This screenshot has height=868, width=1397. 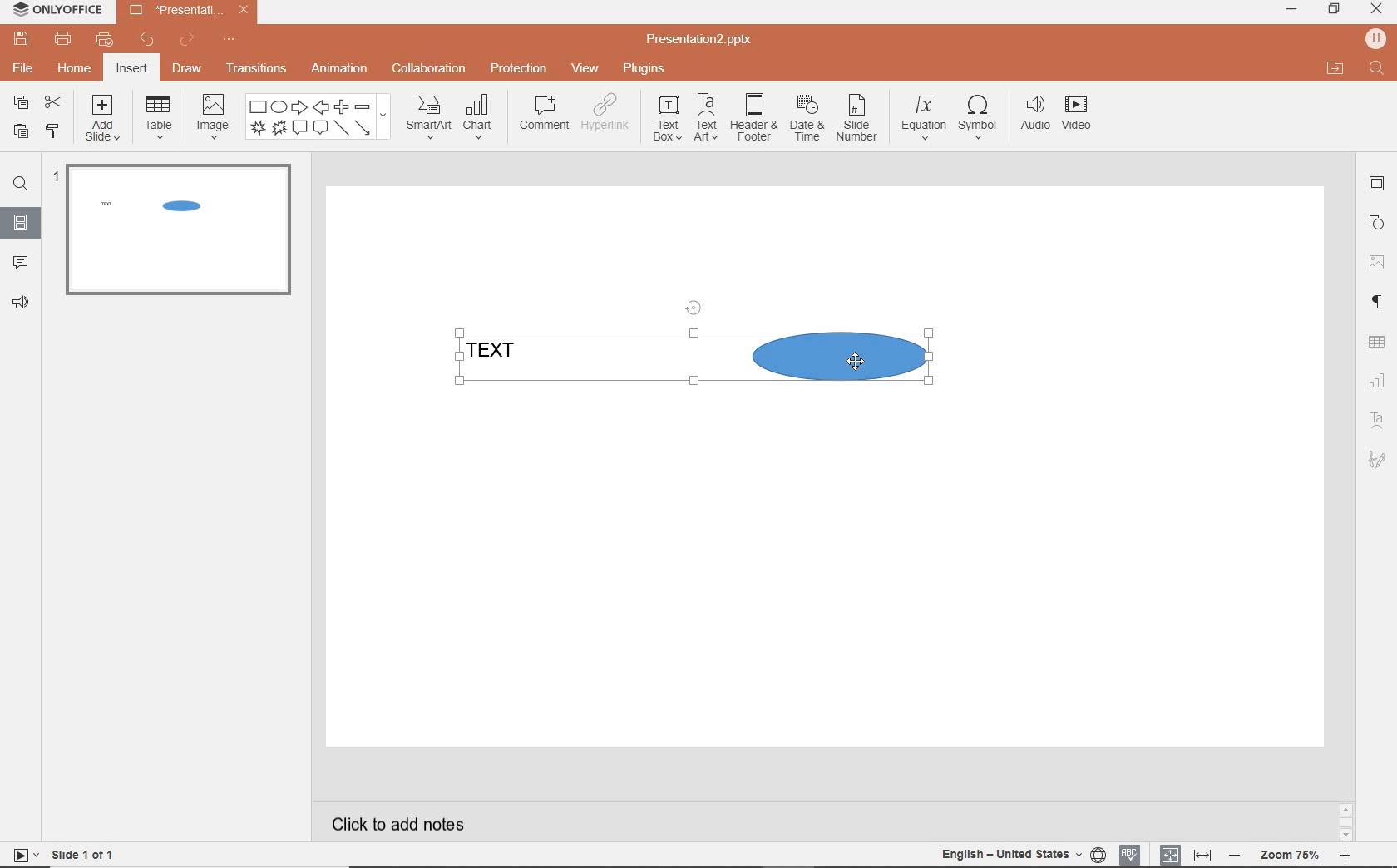 What do you see at coordinates (856, 362) in the screenshot?
I see `CURSOR` at bounding box center [856, 362].